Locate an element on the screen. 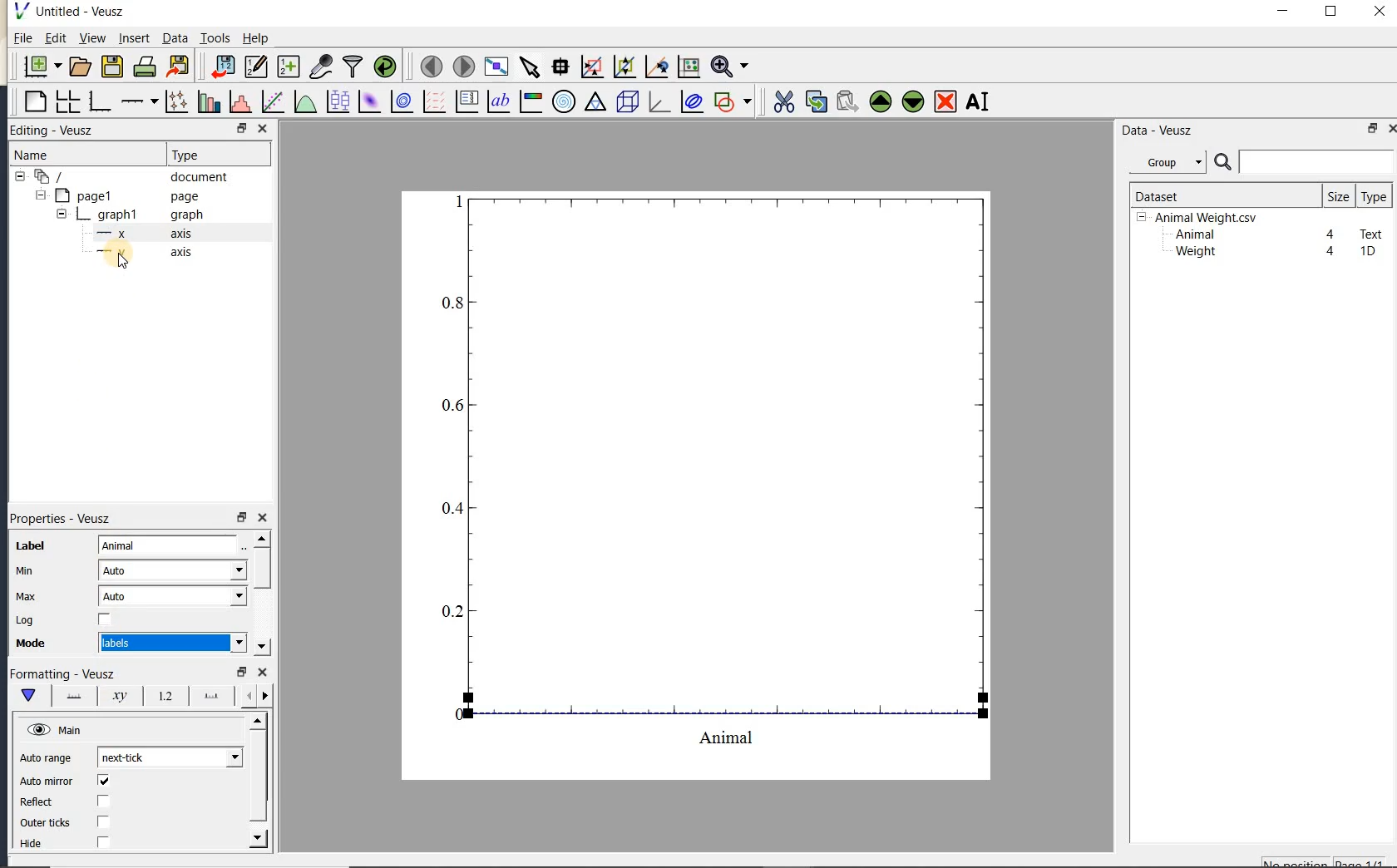 The height and width of the screenshot is (868, 1397). Animal is located at coordinates (1193, 235).